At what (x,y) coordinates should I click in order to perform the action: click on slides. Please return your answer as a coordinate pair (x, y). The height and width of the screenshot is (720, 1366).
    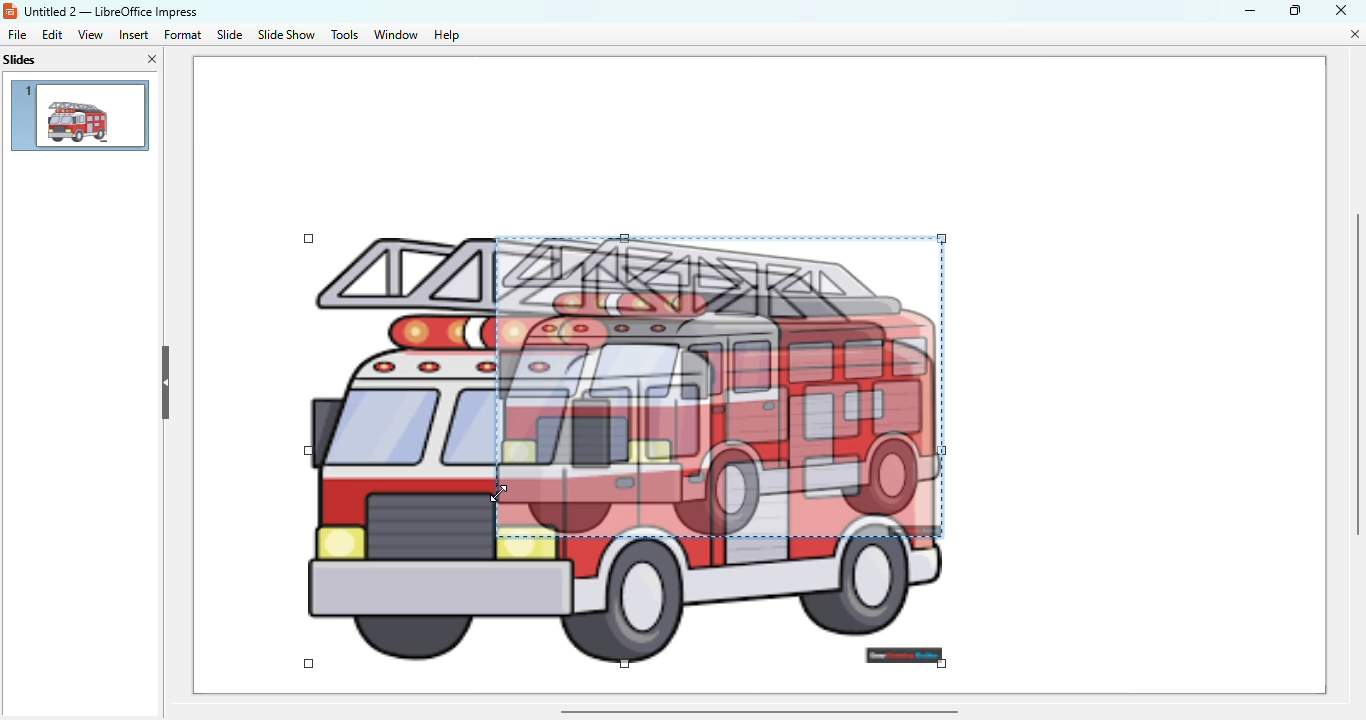
    Looking at the image, I should click on (20, 60).